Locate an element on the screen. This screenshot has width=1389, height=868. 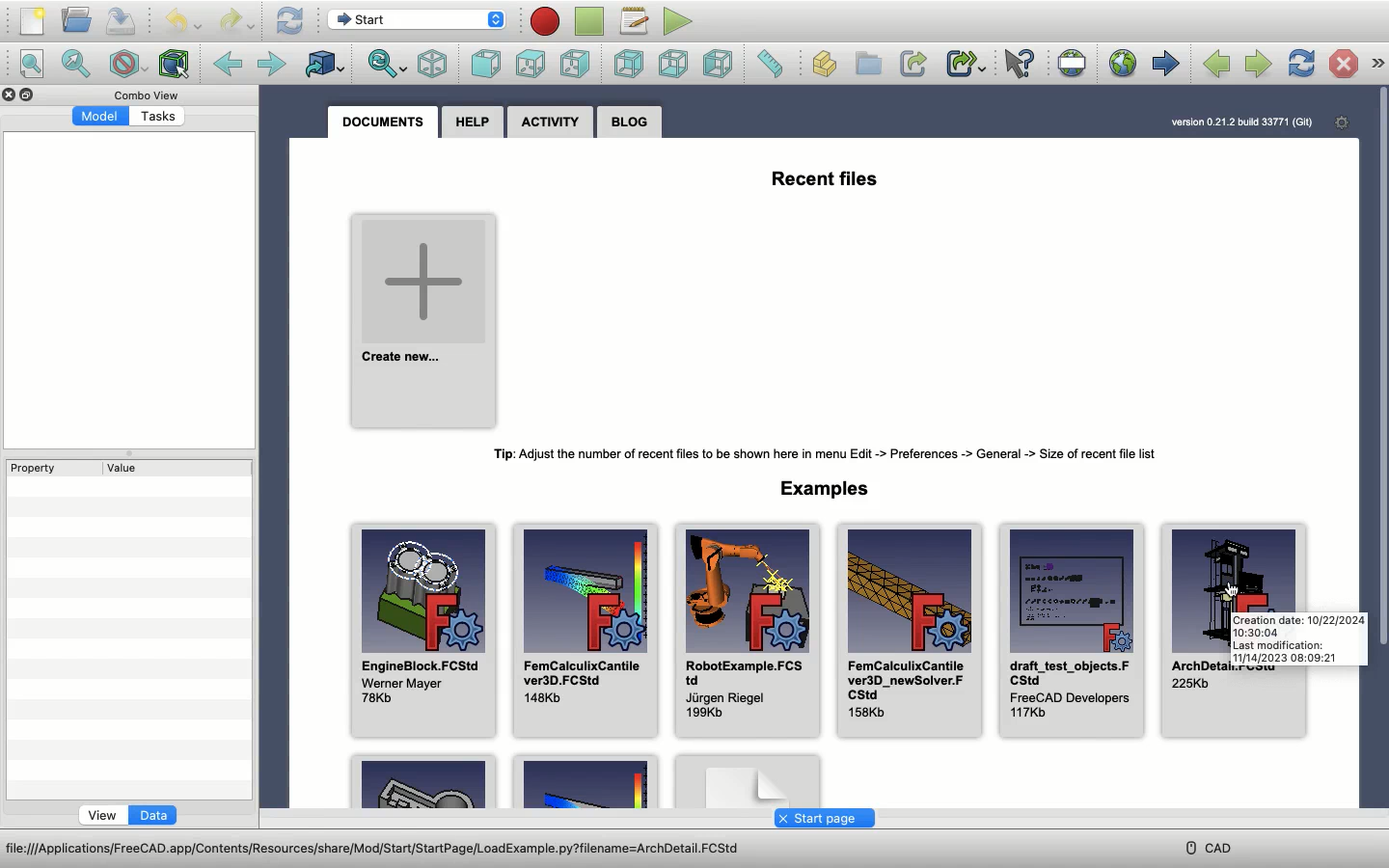
View is located at coordinates (105, 815).